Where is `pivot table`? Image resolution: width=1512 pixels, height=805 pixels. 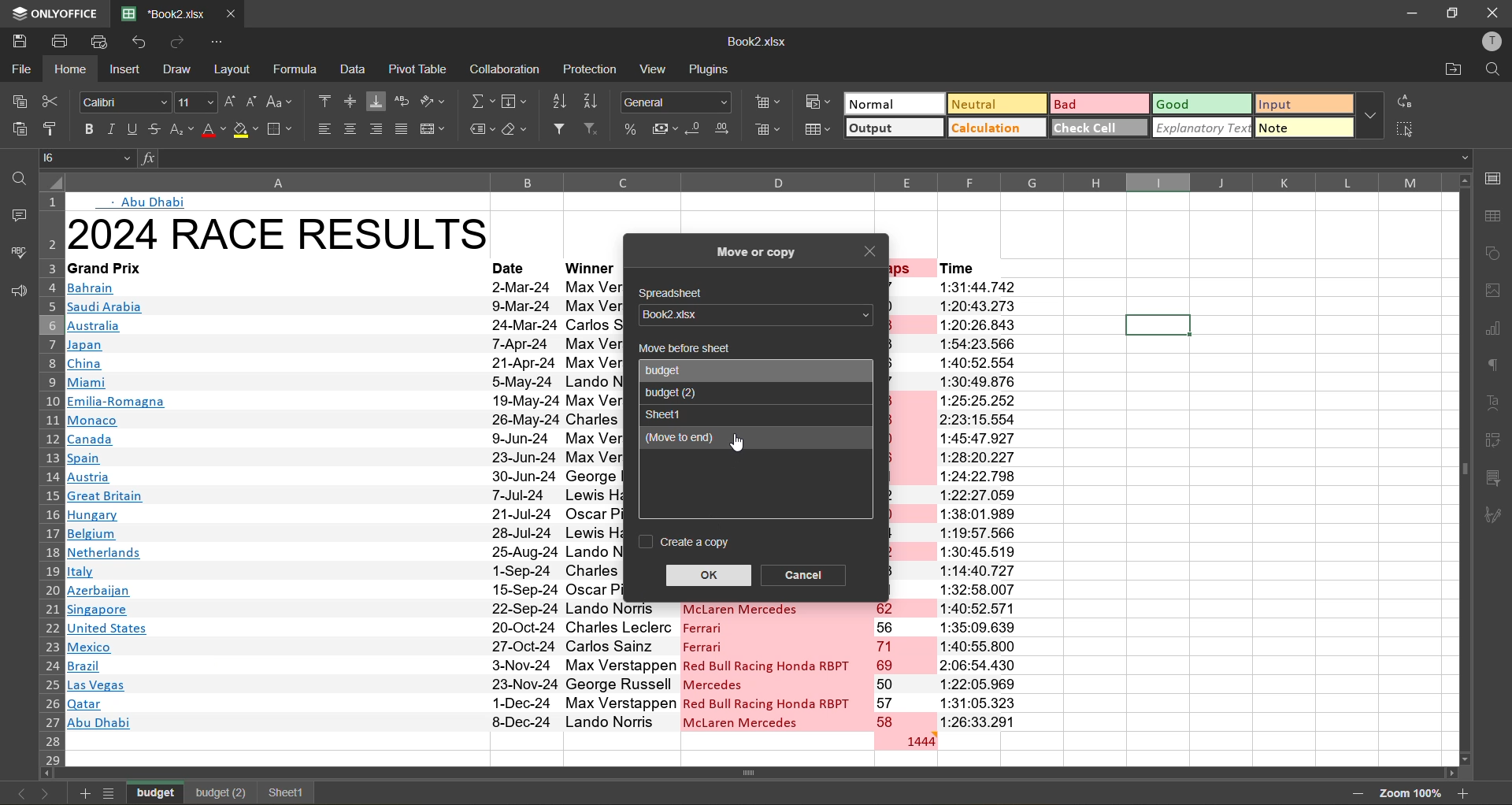 pivot table is located at coordinates (420, 68).